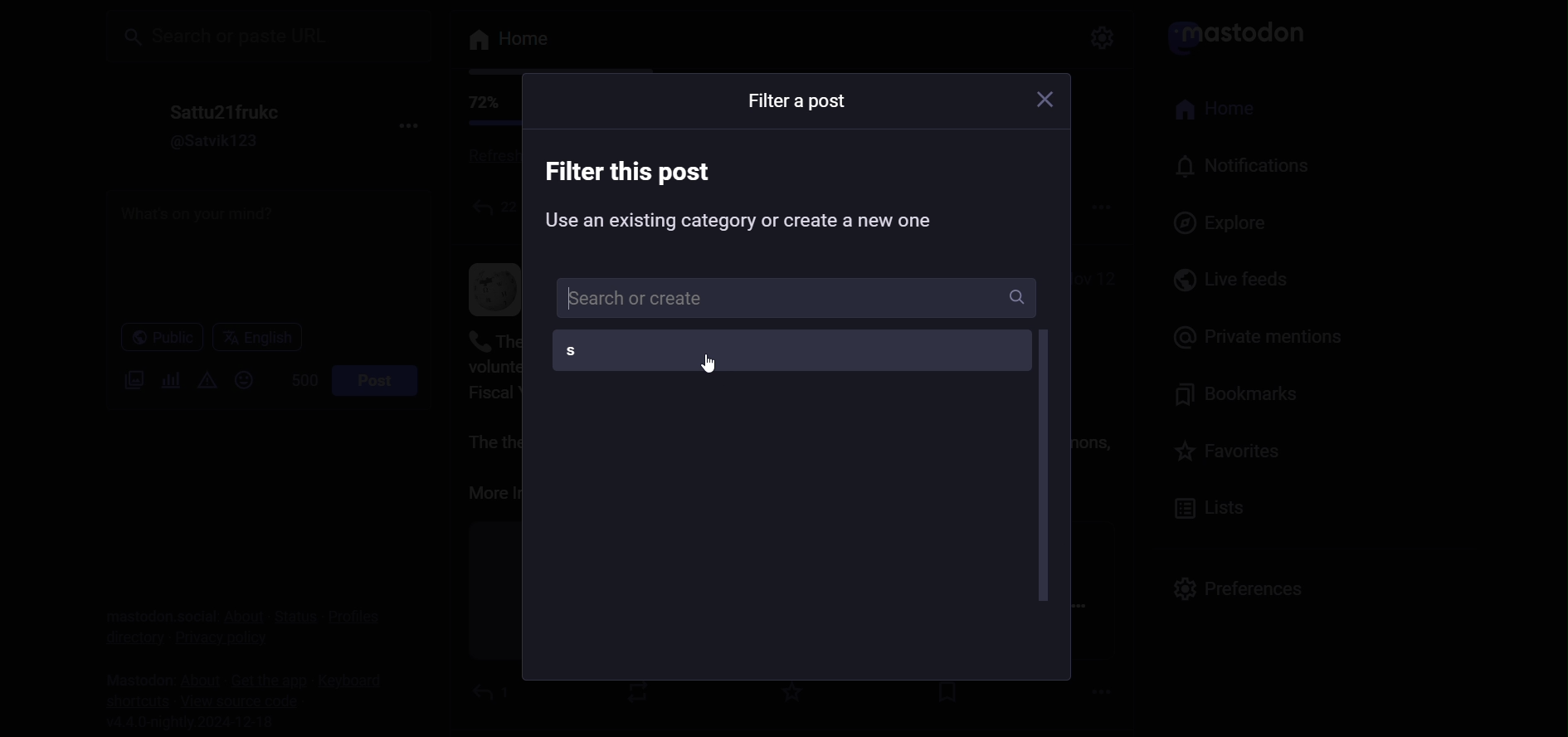 This screenshot has height=737, width=1568. I want to click on post, so click(375, 381).